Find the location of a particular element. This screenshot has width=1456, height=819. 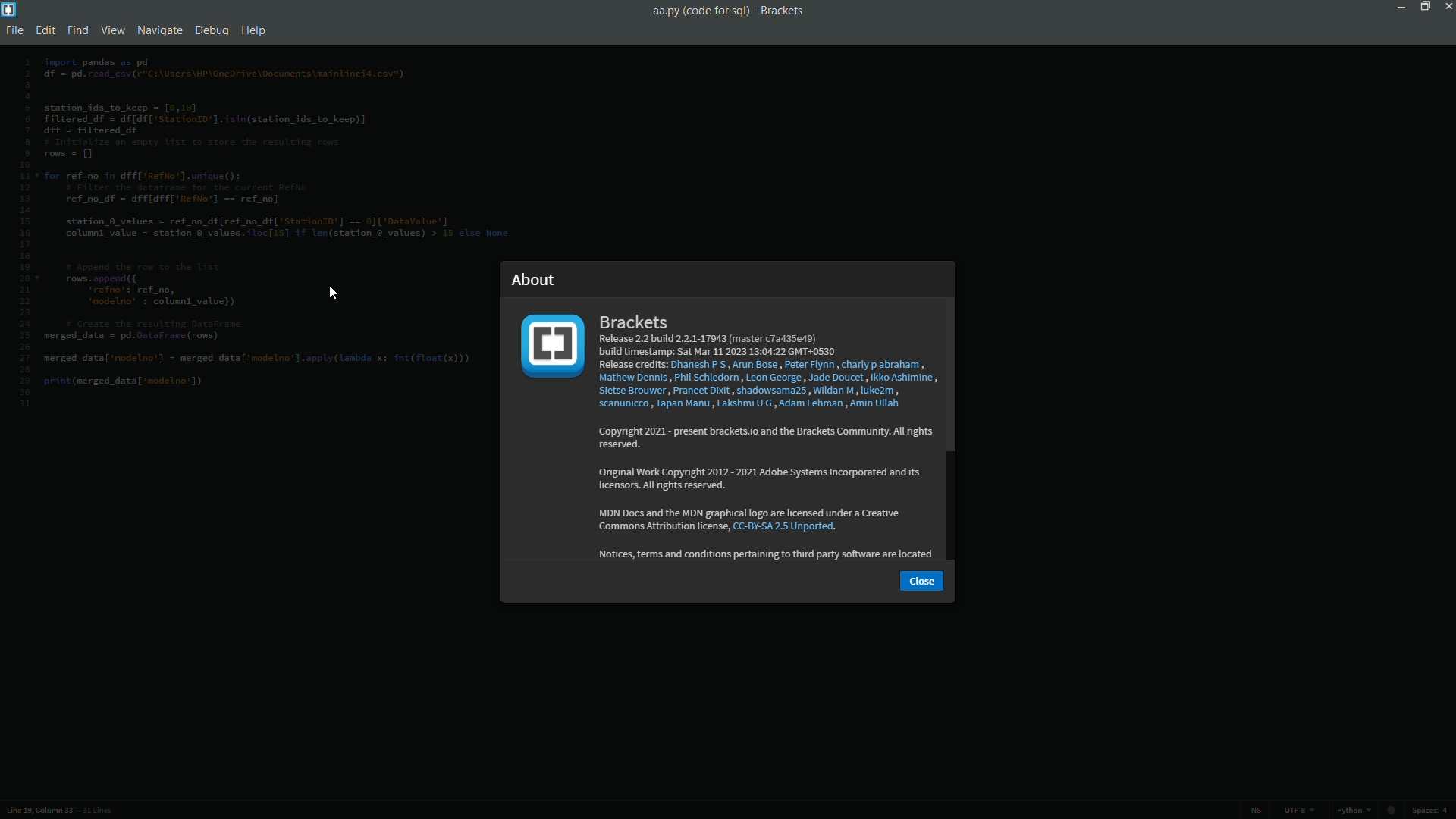

space is located at coordinates (1432, 810).